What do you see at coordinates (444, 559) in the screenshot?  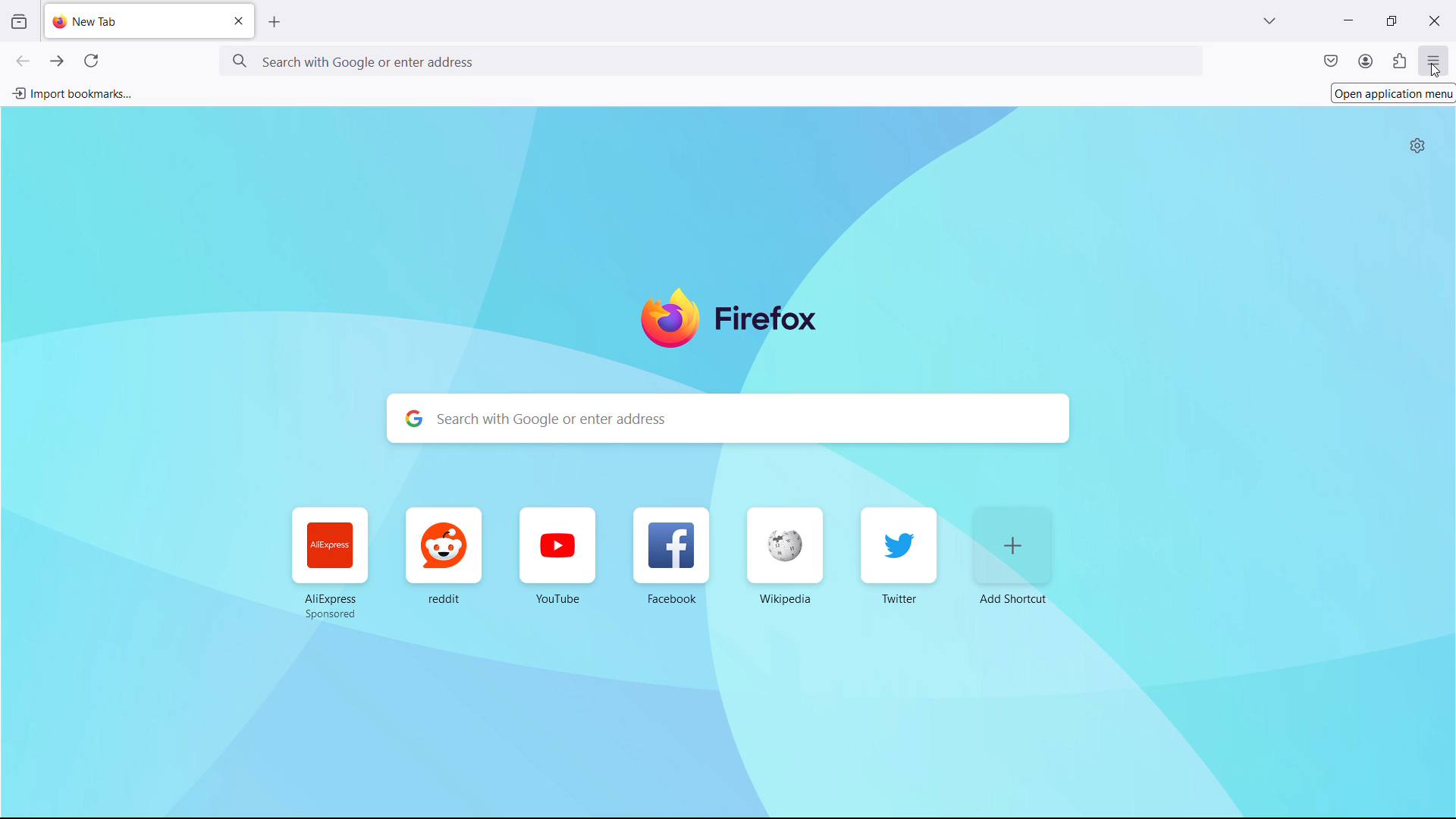 I see `reddit` at bounding box center [444, 559].